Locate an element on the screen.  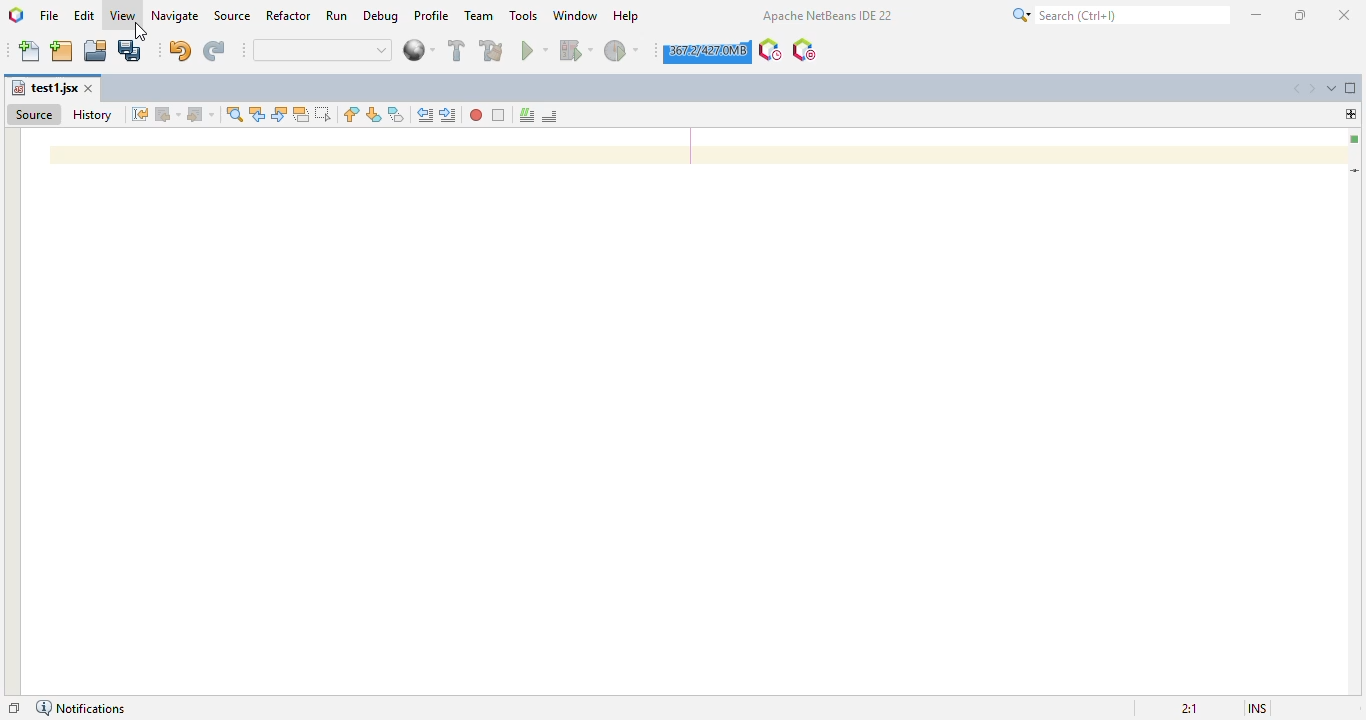
history is located at coordinates (92, 115).